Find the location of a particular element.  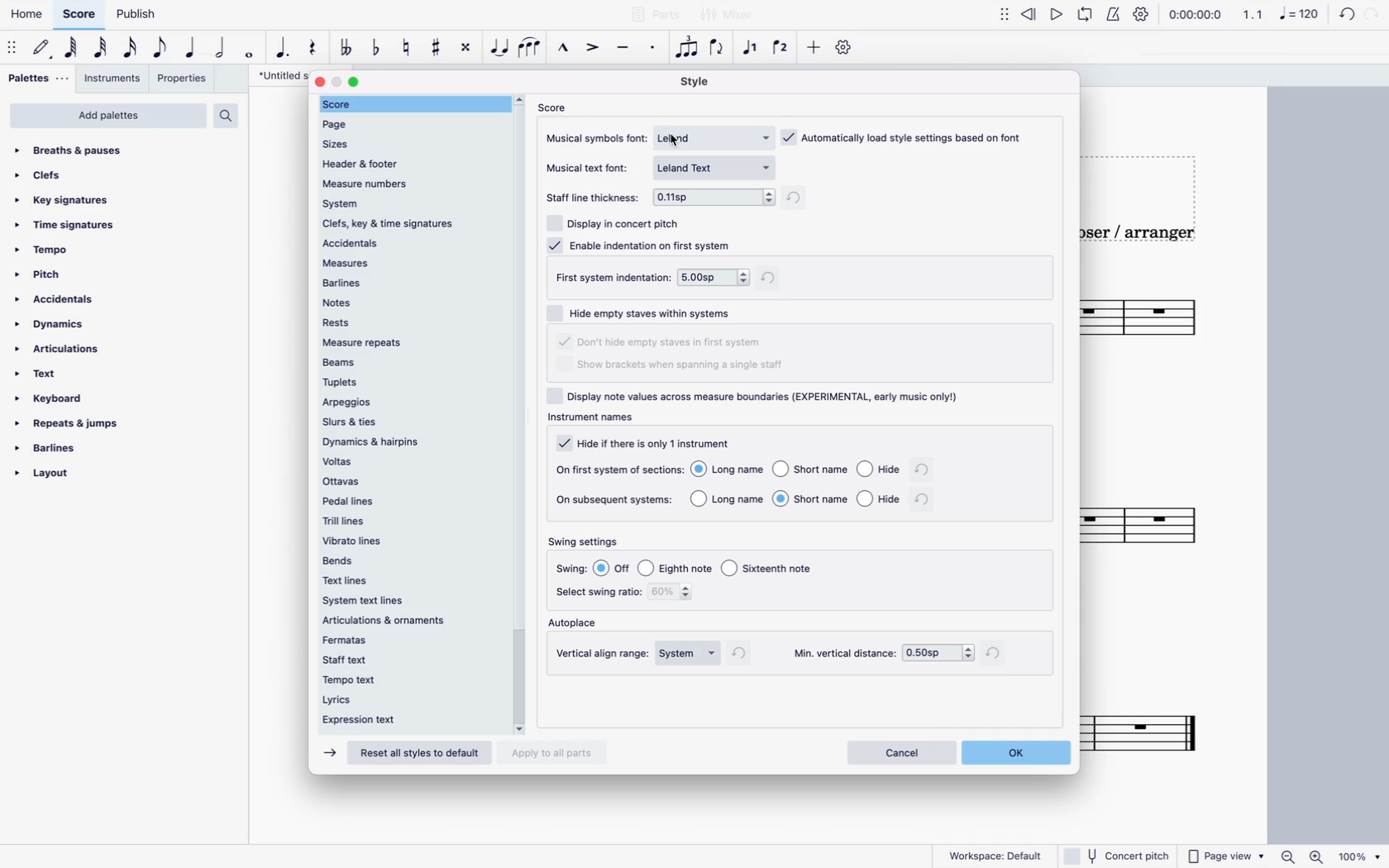

tuplets is located at coordinates (413, 382).